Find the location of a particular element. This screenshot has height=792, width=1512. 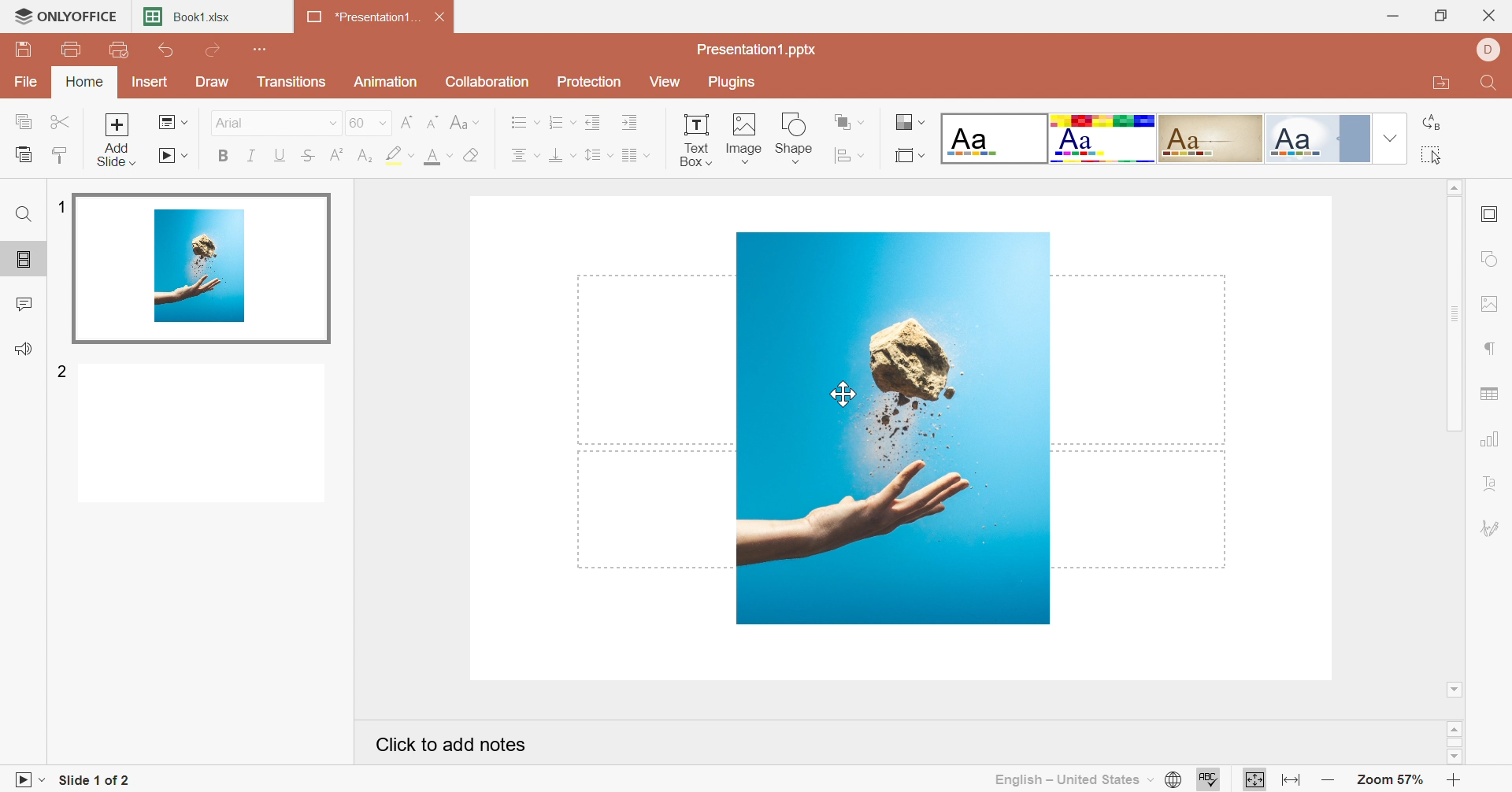

Change case is located at coordinates (465, 120).